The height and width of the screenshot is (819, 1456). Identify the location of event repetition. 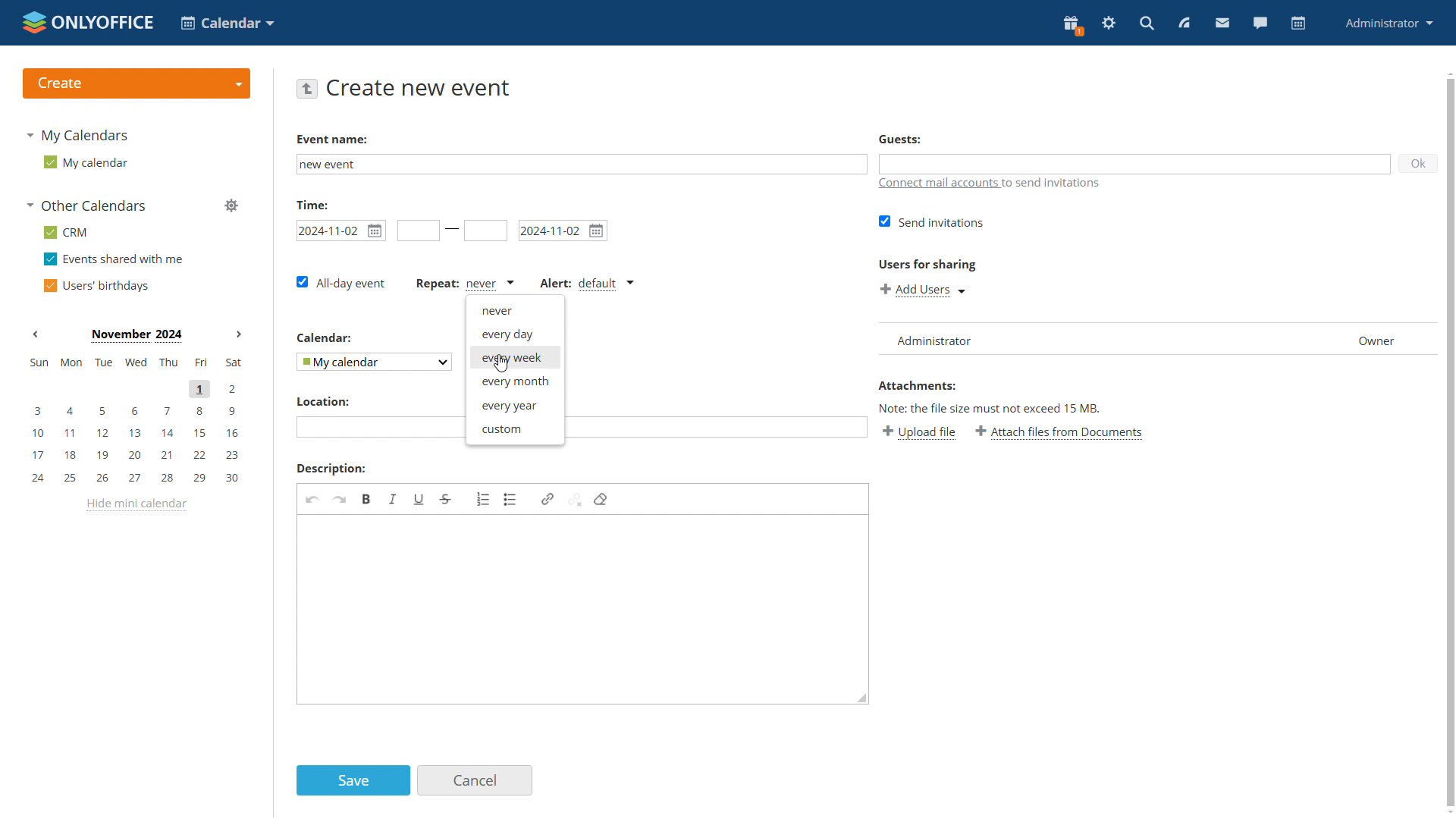
(463, 283).